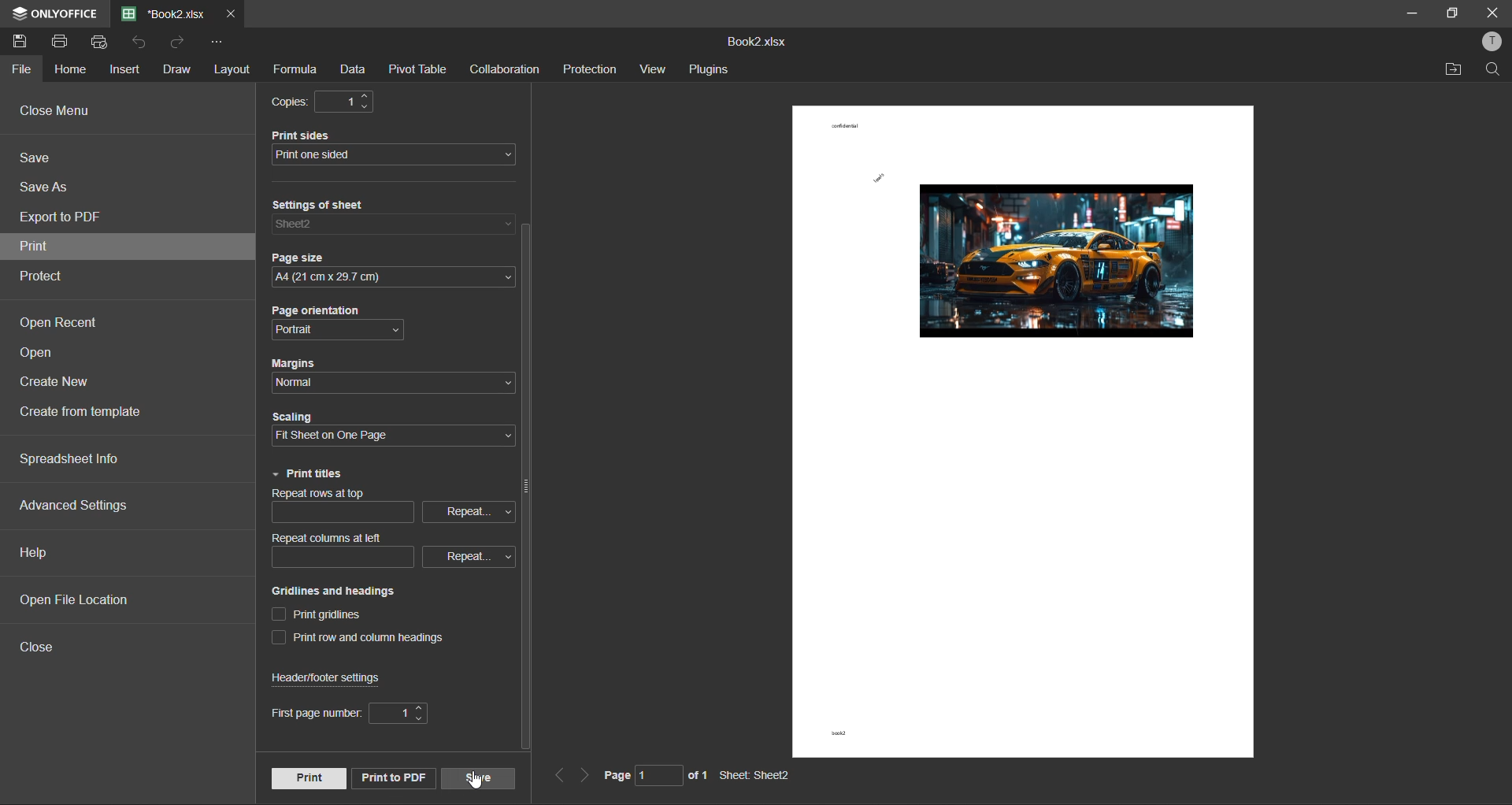  Describe the element at coordinates (313, 474) in the screenshot. I see `print titles` at that location.